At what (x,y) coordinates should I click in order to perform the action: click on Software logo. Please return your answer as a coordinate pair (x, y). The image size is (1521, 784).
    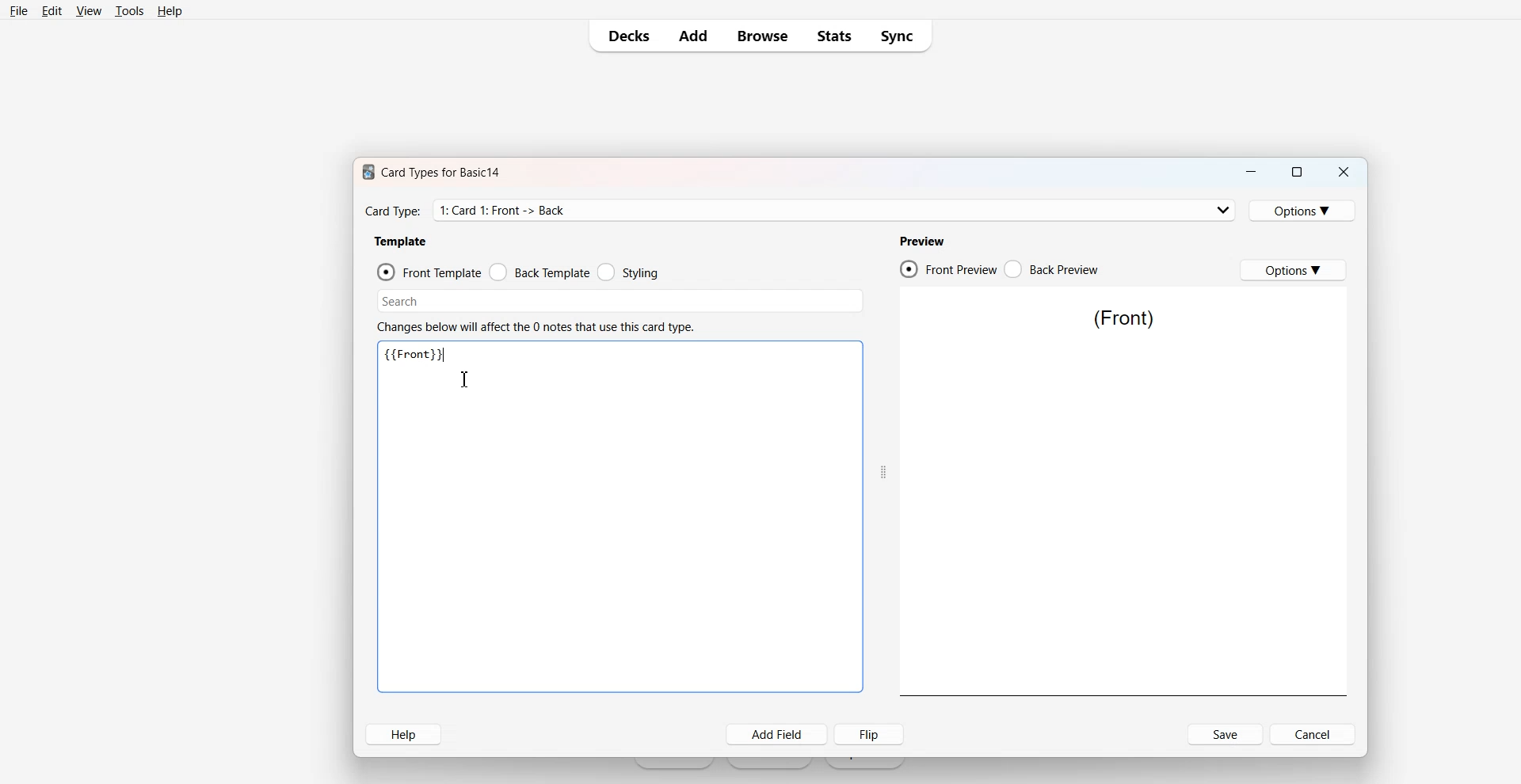
    Looking at the image, I should click on (367, 173).